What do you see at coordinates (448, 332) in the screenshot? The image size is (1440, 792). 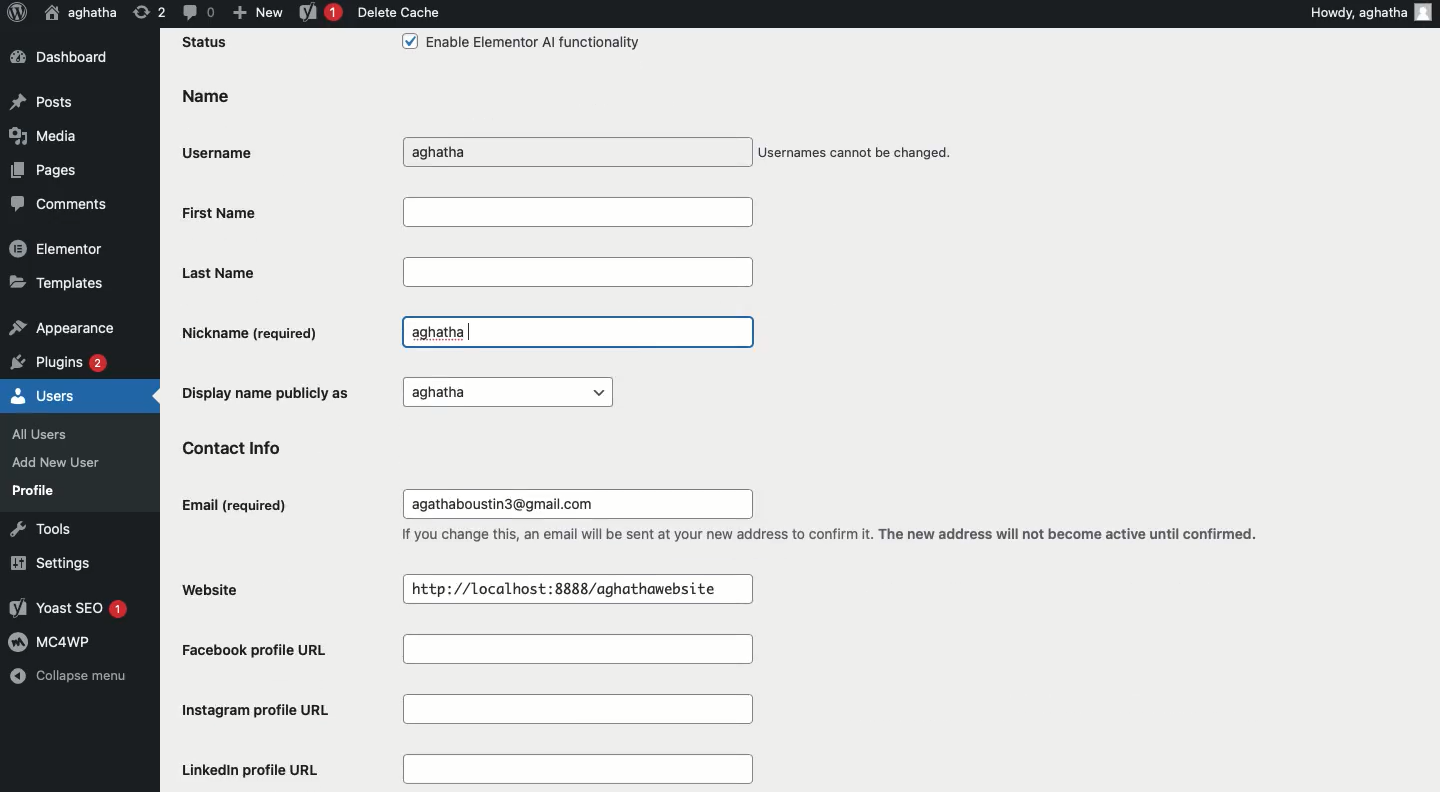 I see `aghatha` at bounding box center [448, 332].